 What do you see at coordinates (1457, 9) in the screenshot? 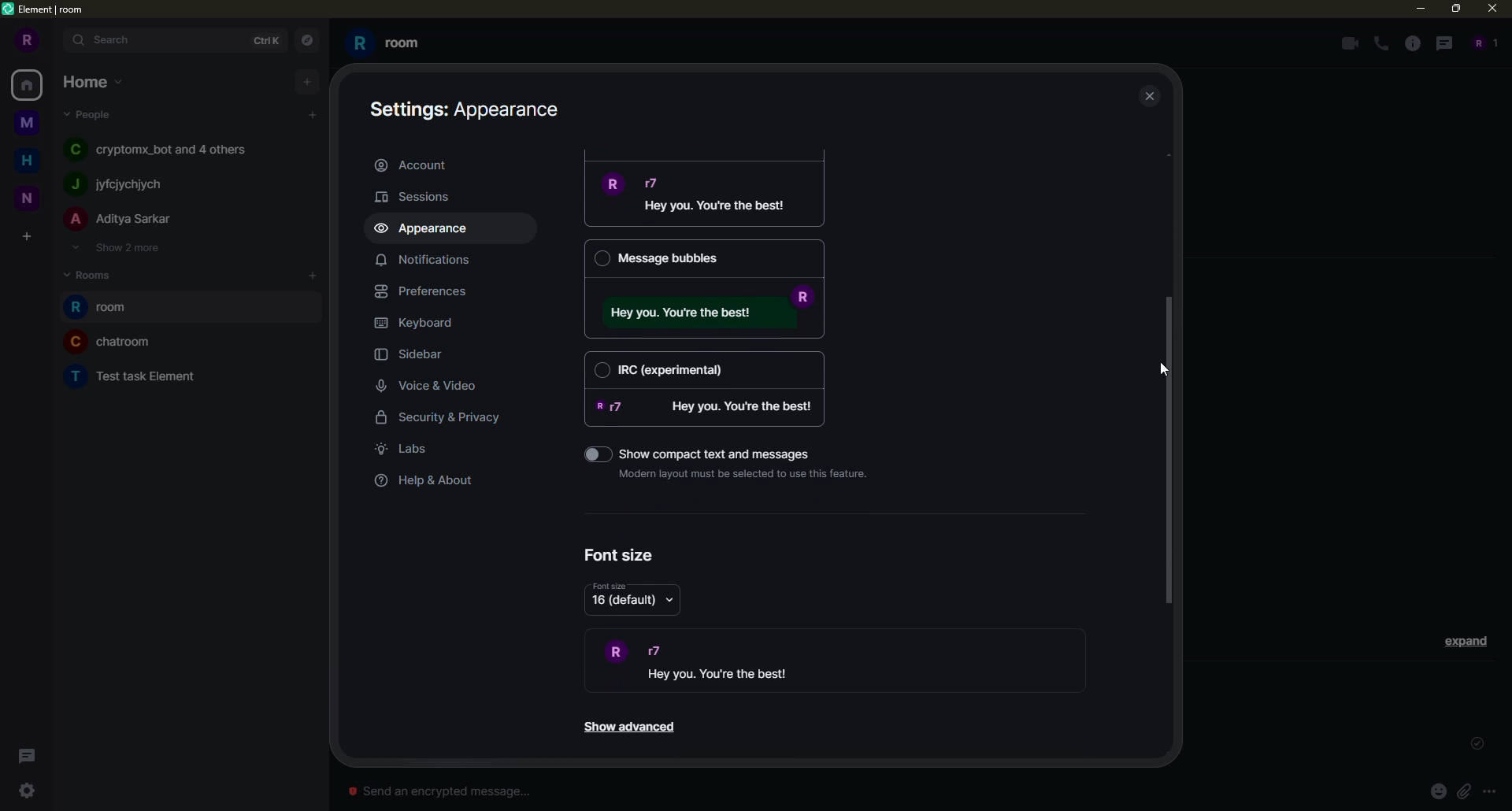
I see `maximize` at bounding box center [1457, 9].